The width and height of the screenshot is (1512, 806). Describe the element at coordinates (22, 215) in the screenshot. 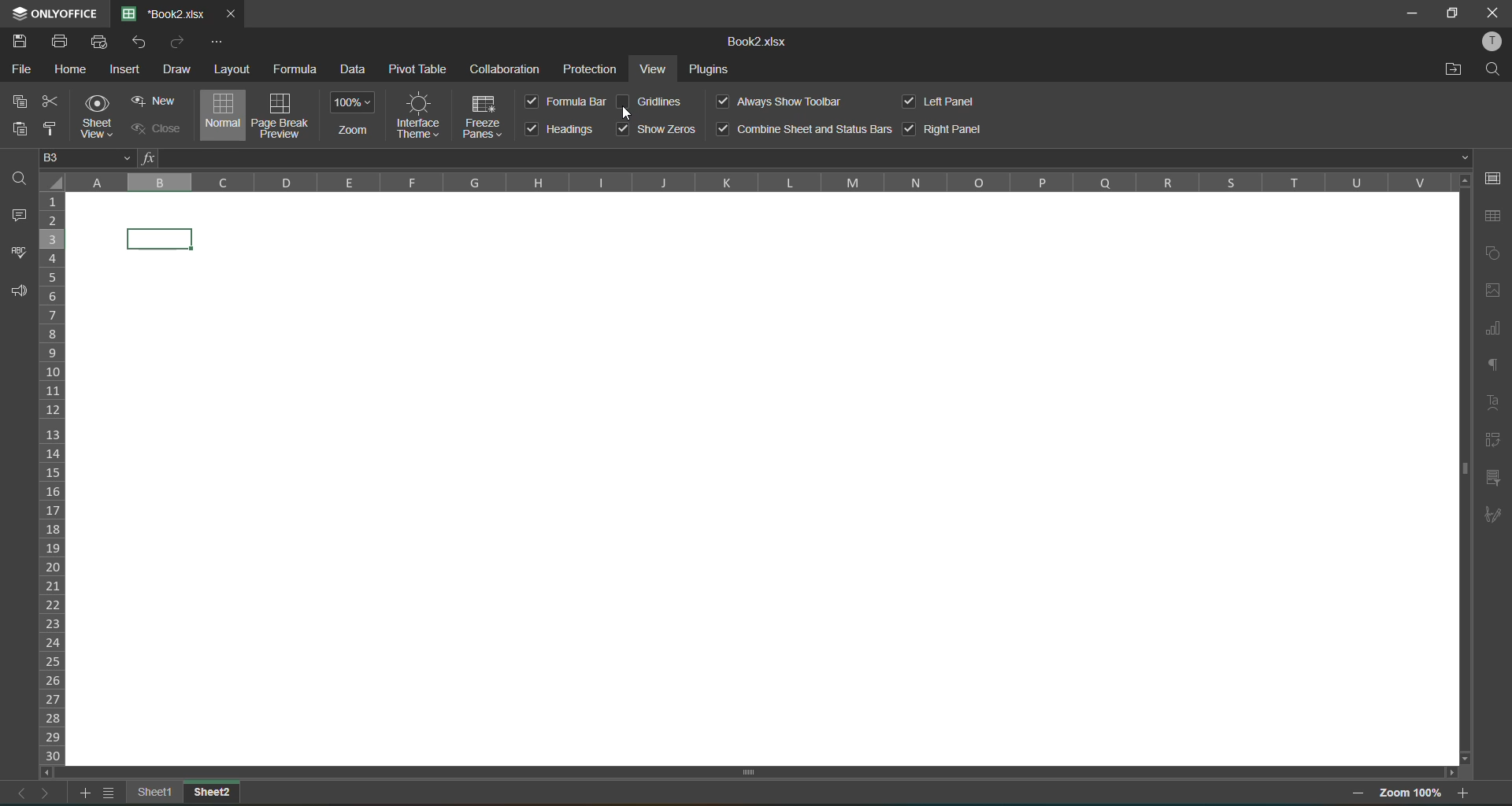

I see `comments` at that location.